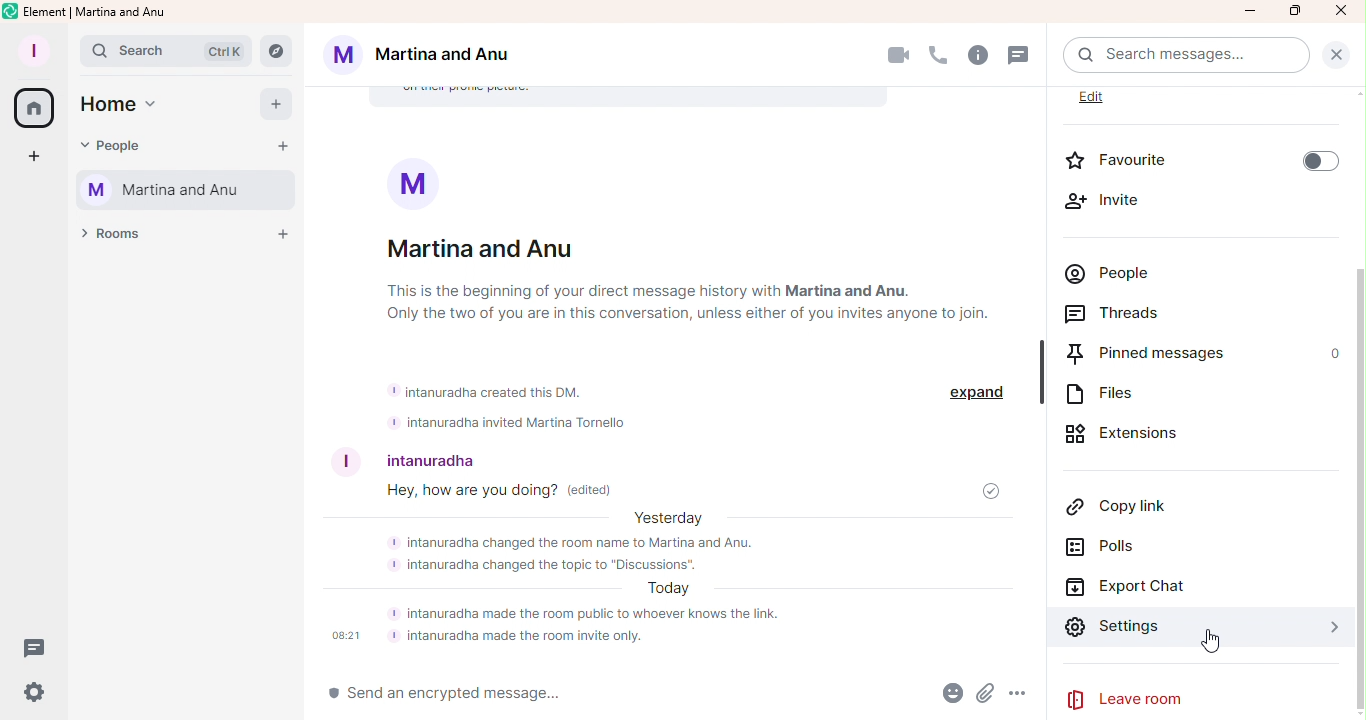 This screenshot has height=720, width=1366. Describe the element at coordinates (1107, 98) in the screenshot. I see `Edit` at that location.